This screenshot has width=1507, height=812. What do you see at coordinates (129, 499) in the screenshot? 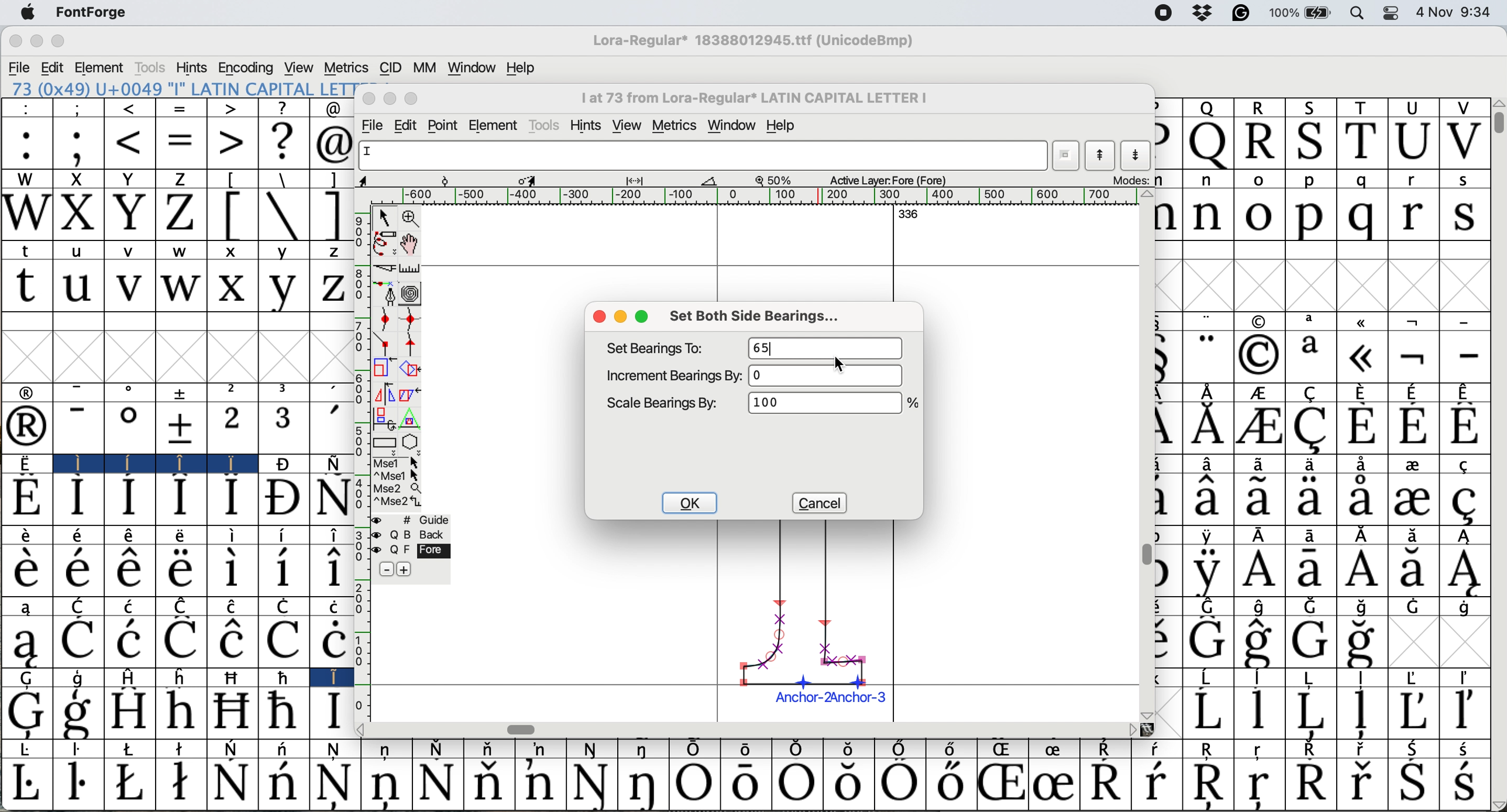
I see `Symbol` at bounding box center [129, 499].